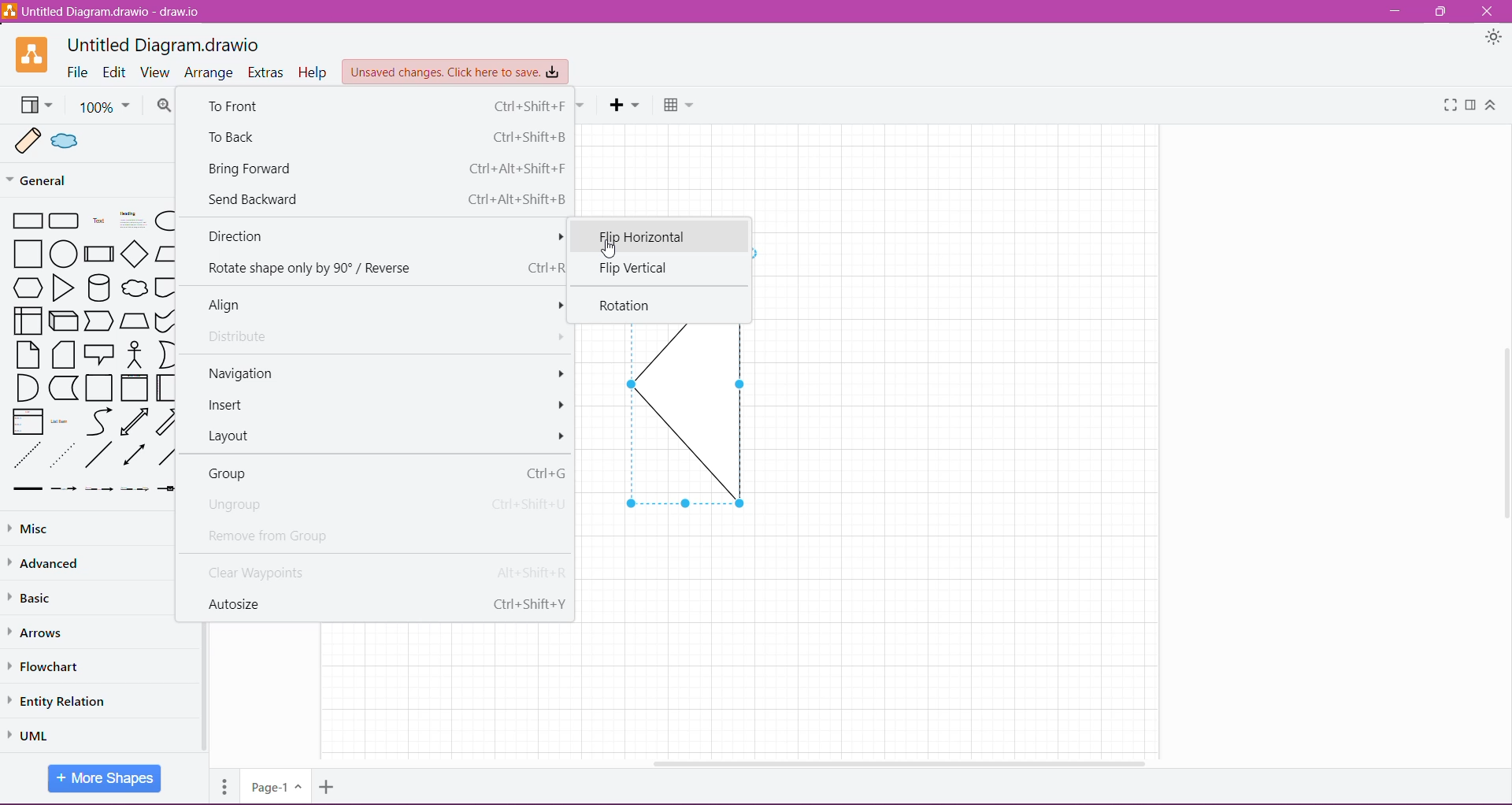 This screenshot has height=805, width=1512. I want to click on Application Logo, so click(34, 55).